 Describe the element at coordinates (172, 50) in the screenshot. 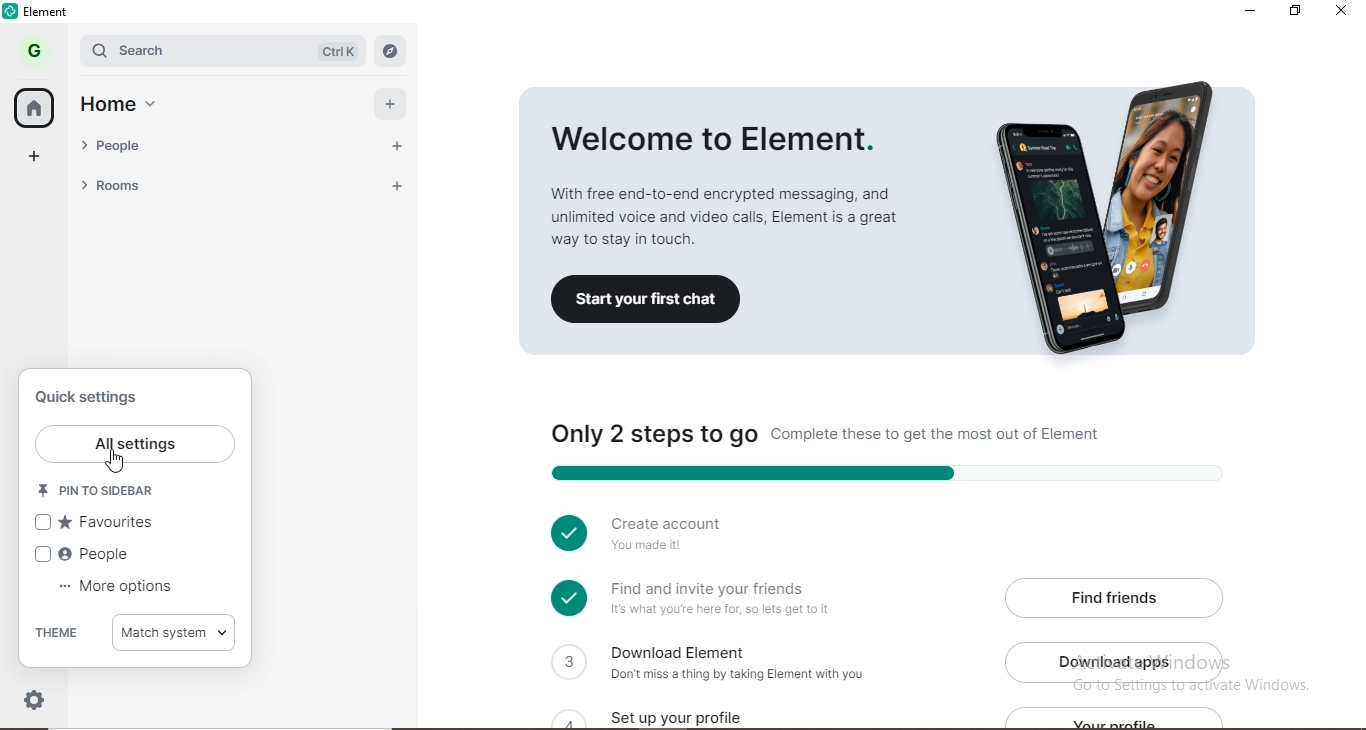

I see `search bar` at that location.